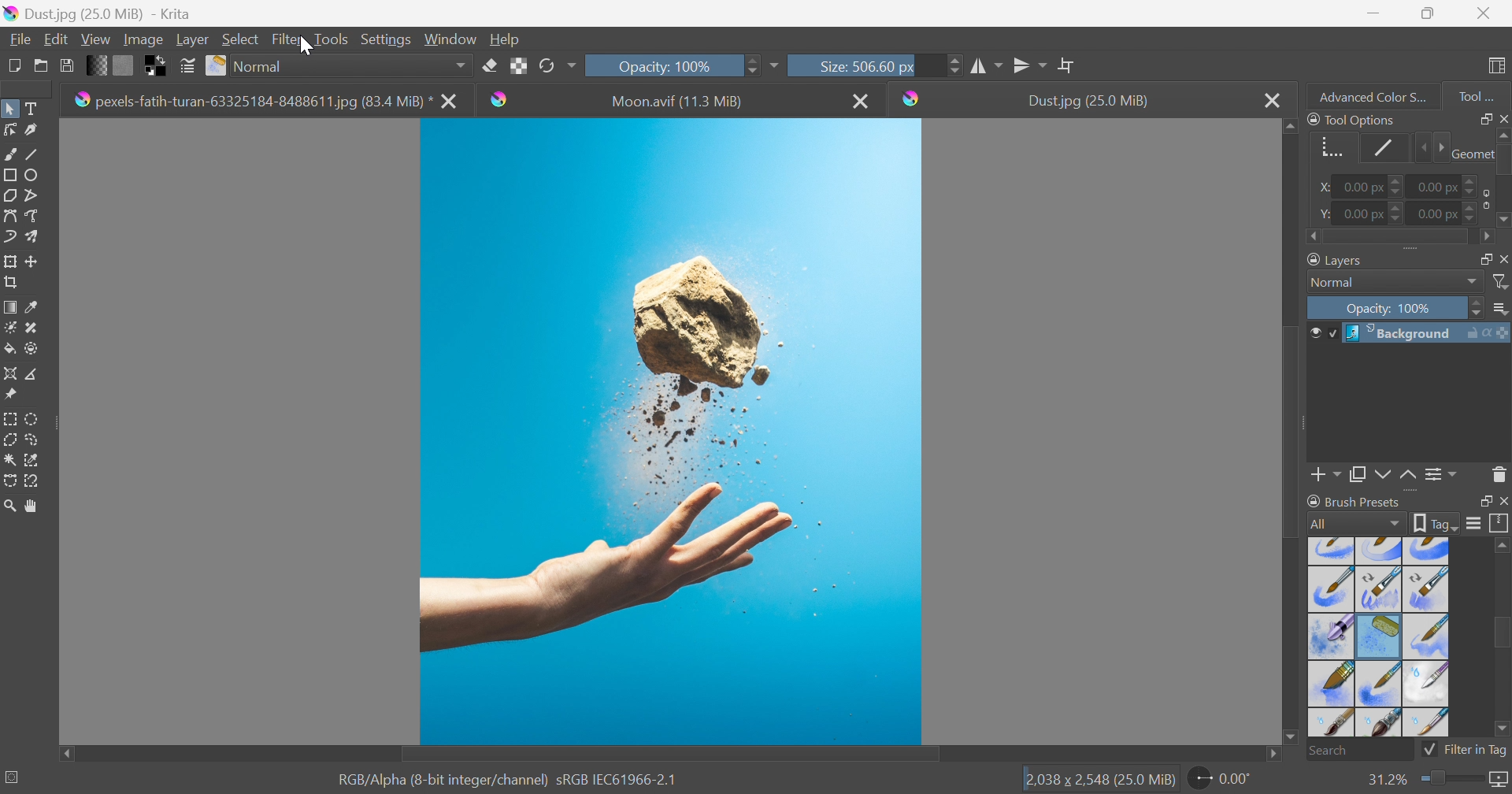 The height and width of the screenshot is (794, 1512). What do you see at coordinates (1380, 477) in the screenshot?
I see `Duplicate layer or mask` at bounding box center [1380, 477].